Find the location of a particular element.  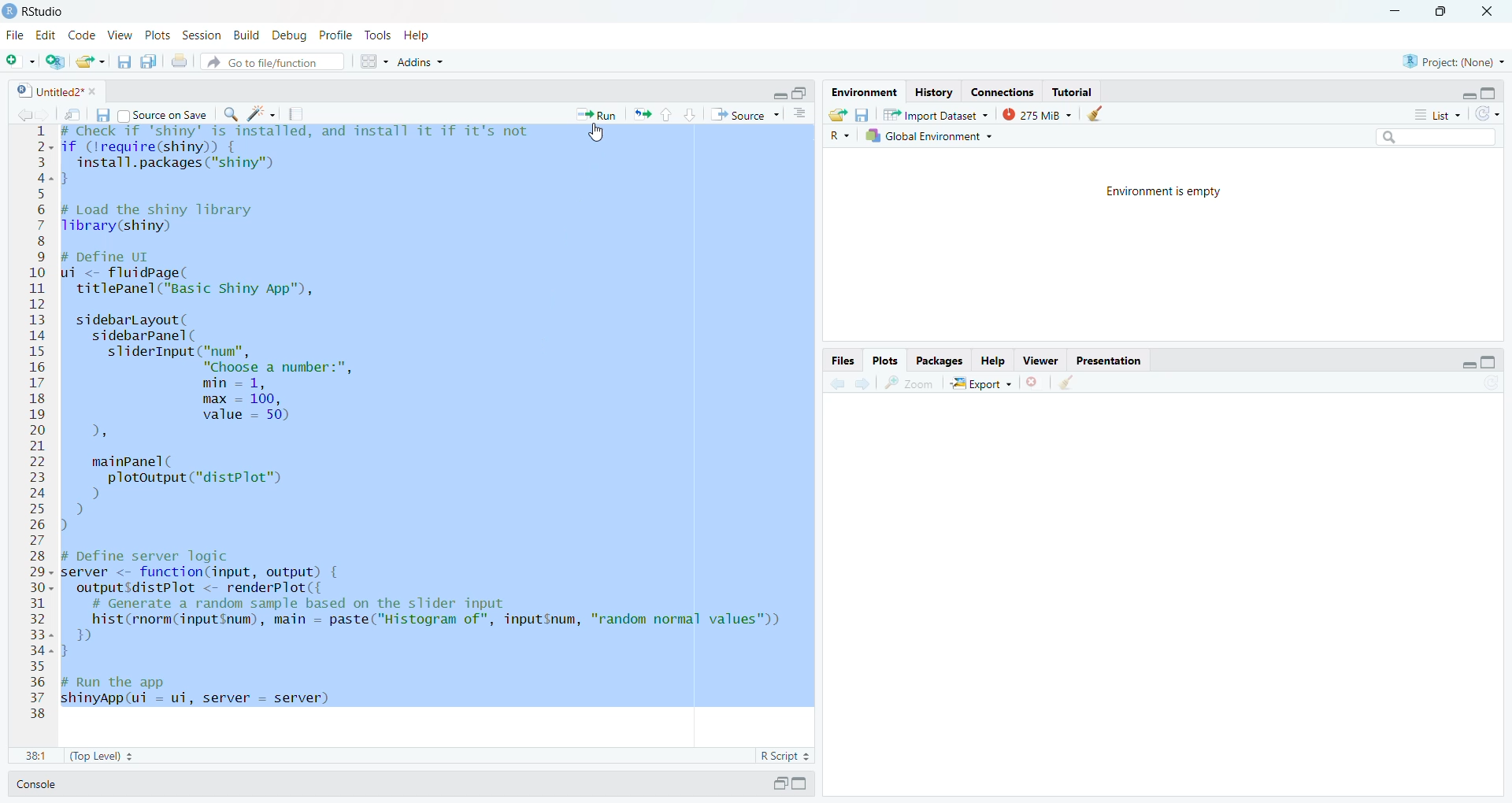

RStudio is located at coordinates (44, 13).